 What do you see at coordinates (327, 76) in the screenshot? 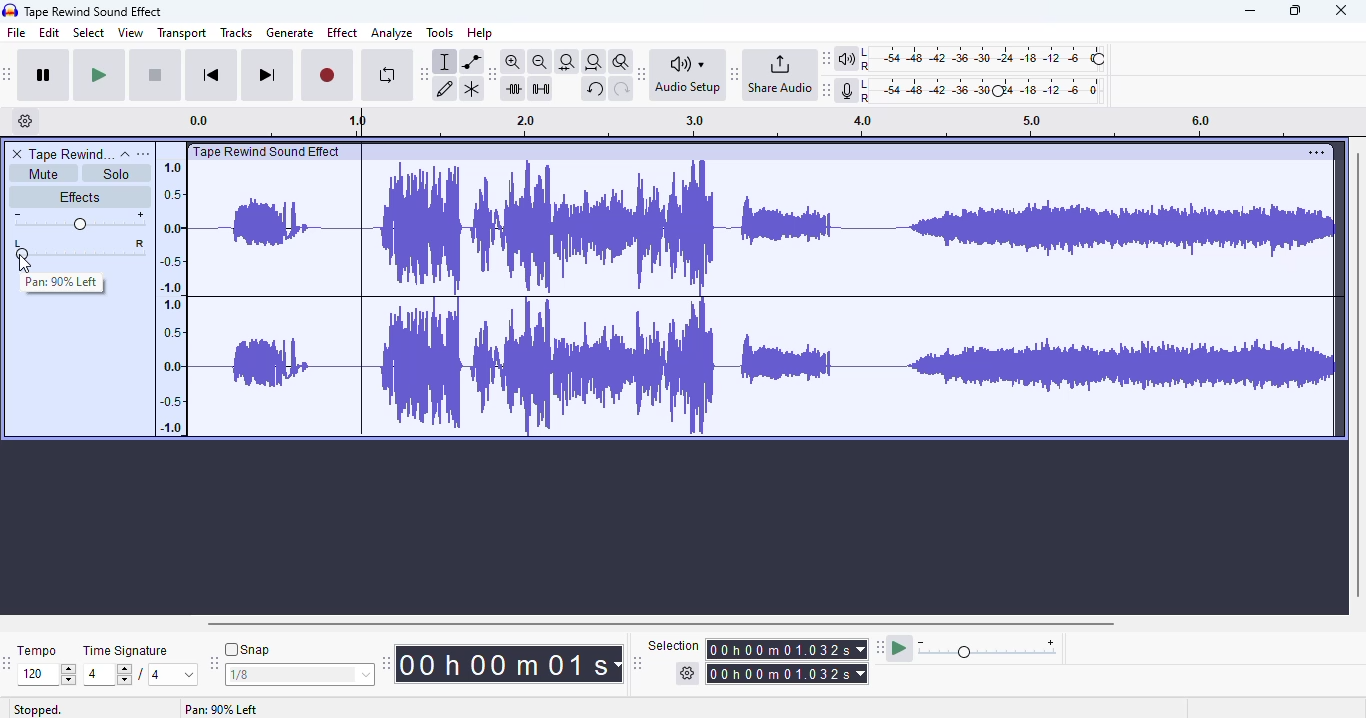
I see `record` at bounding box center [327, 76].